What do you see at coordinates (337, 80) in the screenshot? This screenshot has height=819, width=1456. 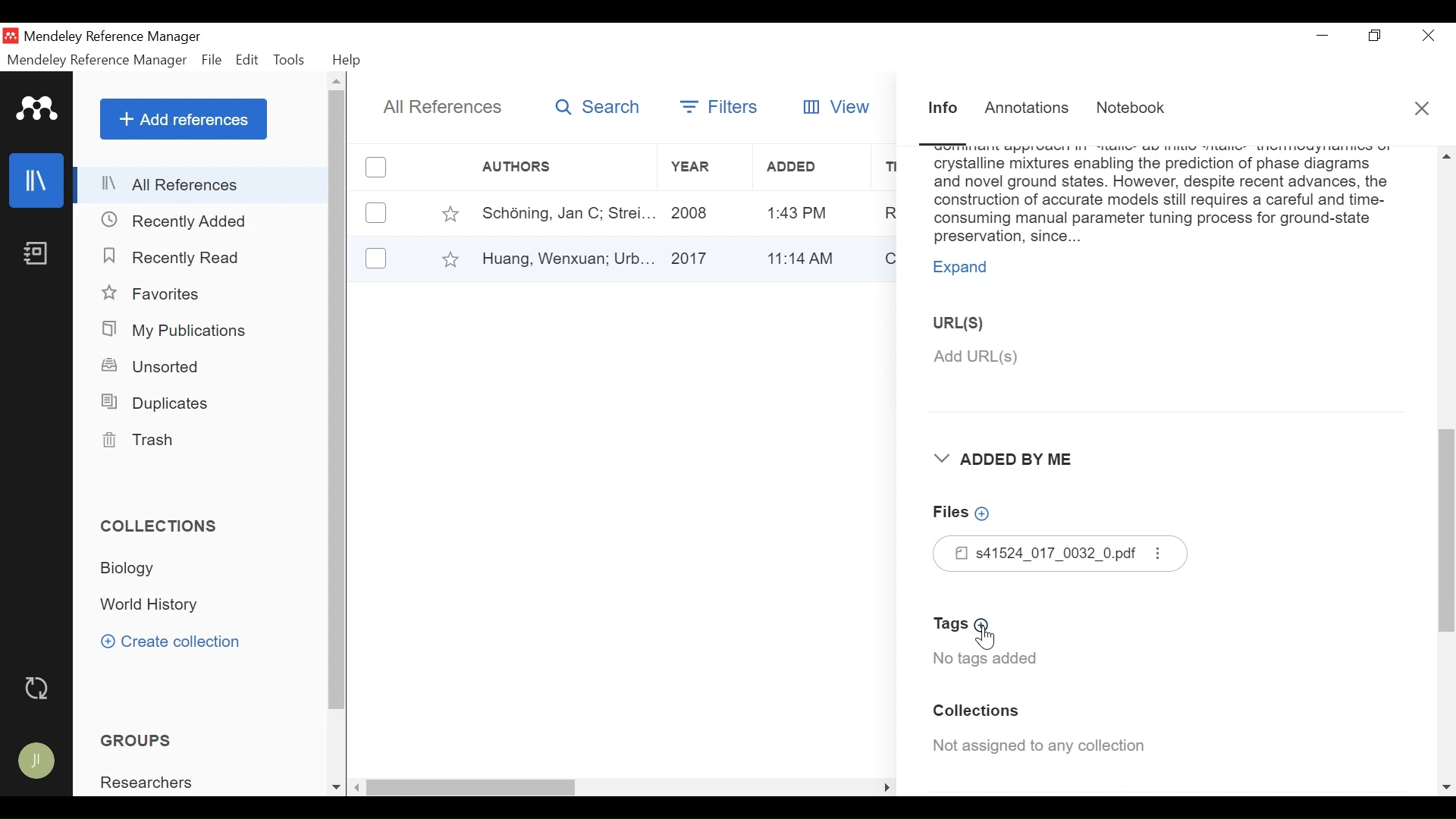 I see `Scroll up` at bounding box center [337, 80].